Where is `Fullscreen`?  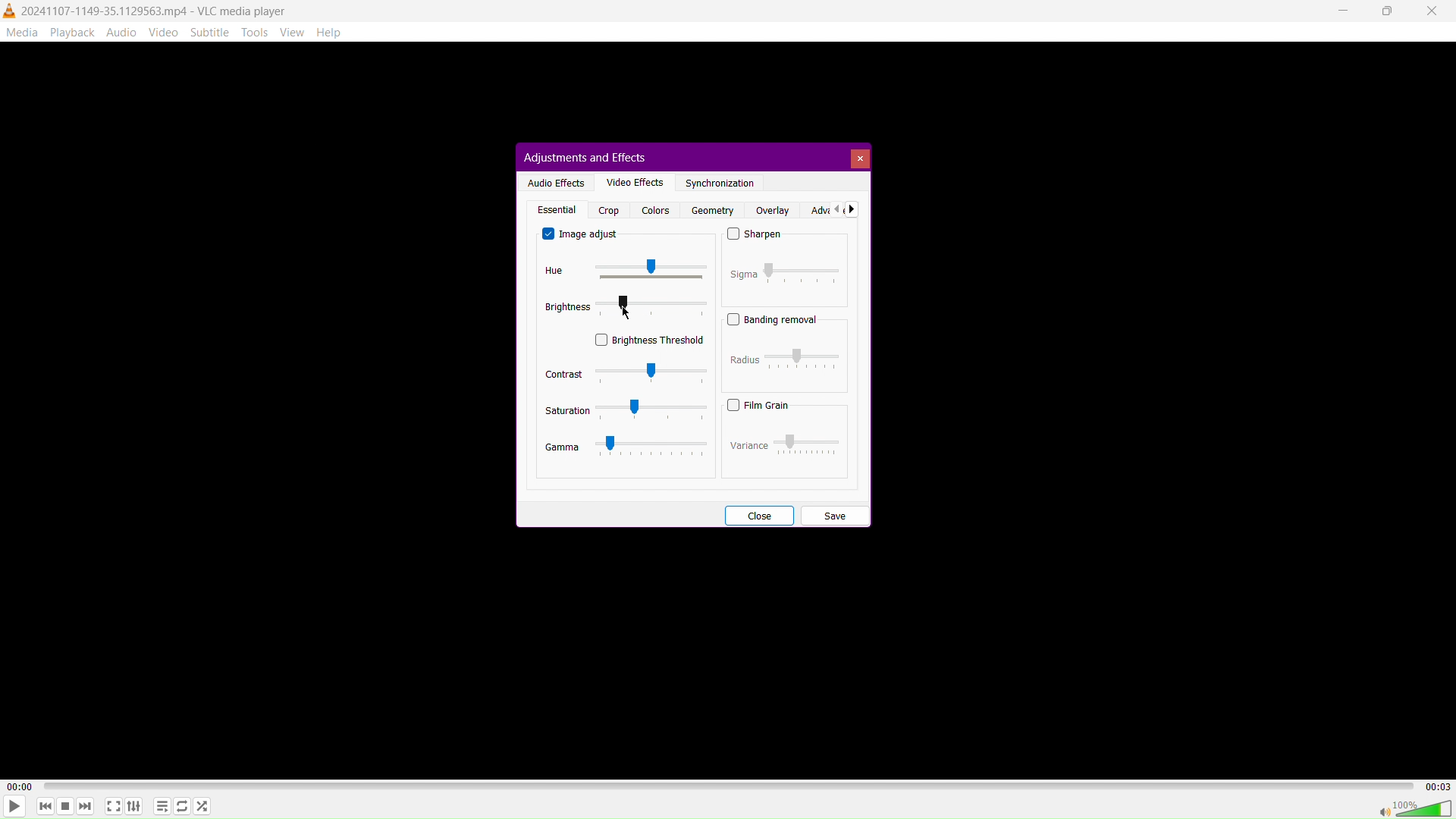
Fullscreen is located at coordinates (113, 806).